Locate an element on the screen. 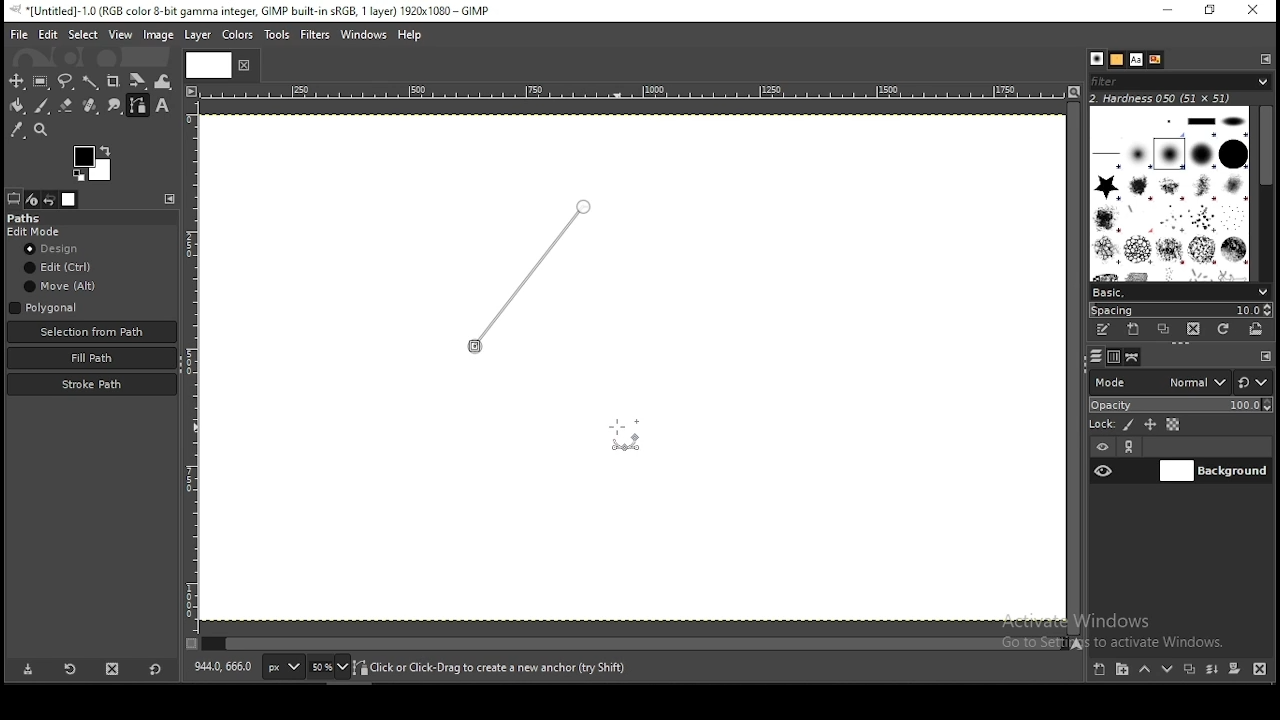  lock alpha channel is located at coordinates (1174, 424).